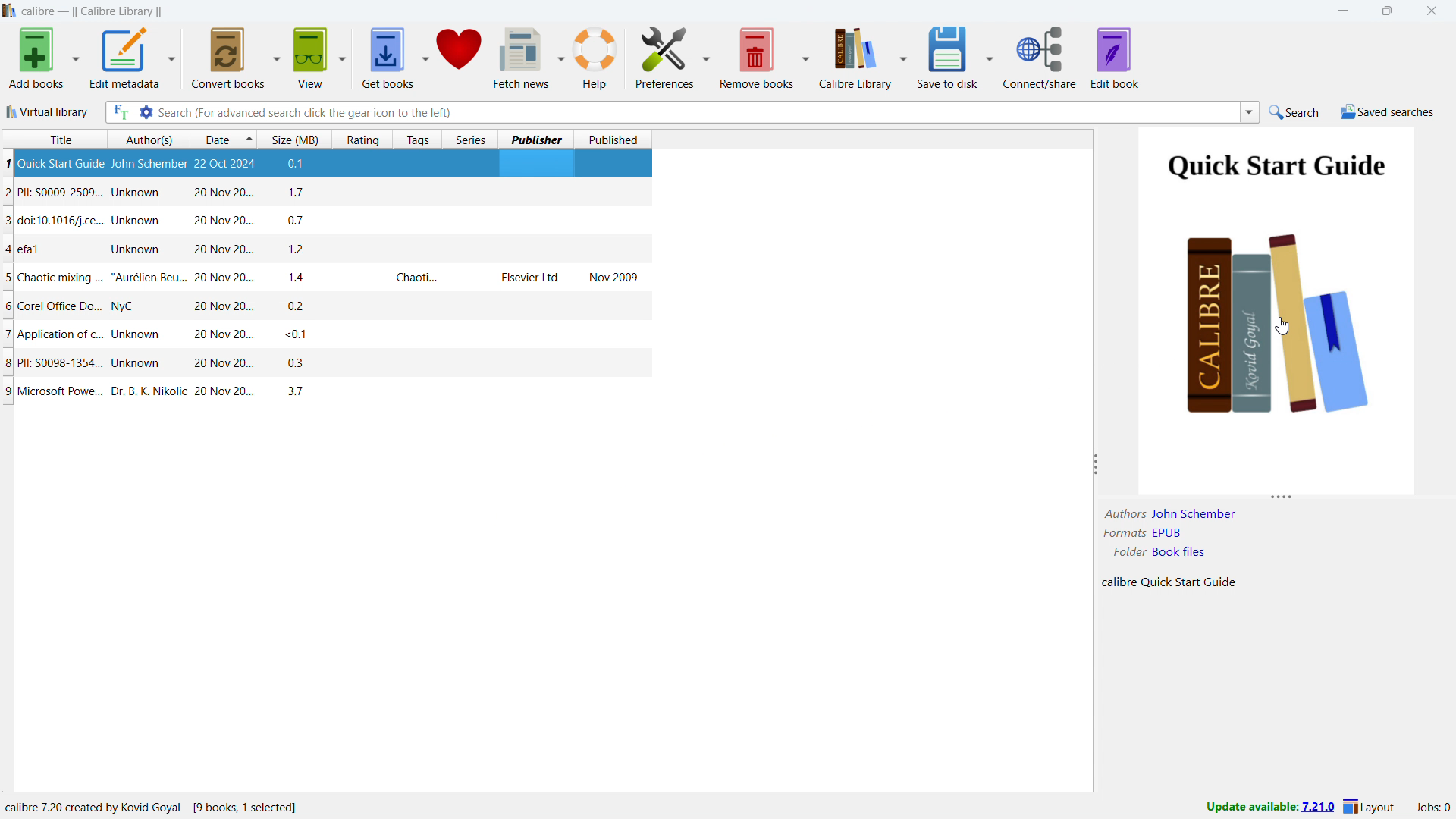 The width and height of the screenshot is (1456, 819). What do you see at coordinates (426, 57) in the screenshot?
I see `get books options` at bounding box center [426, 57].